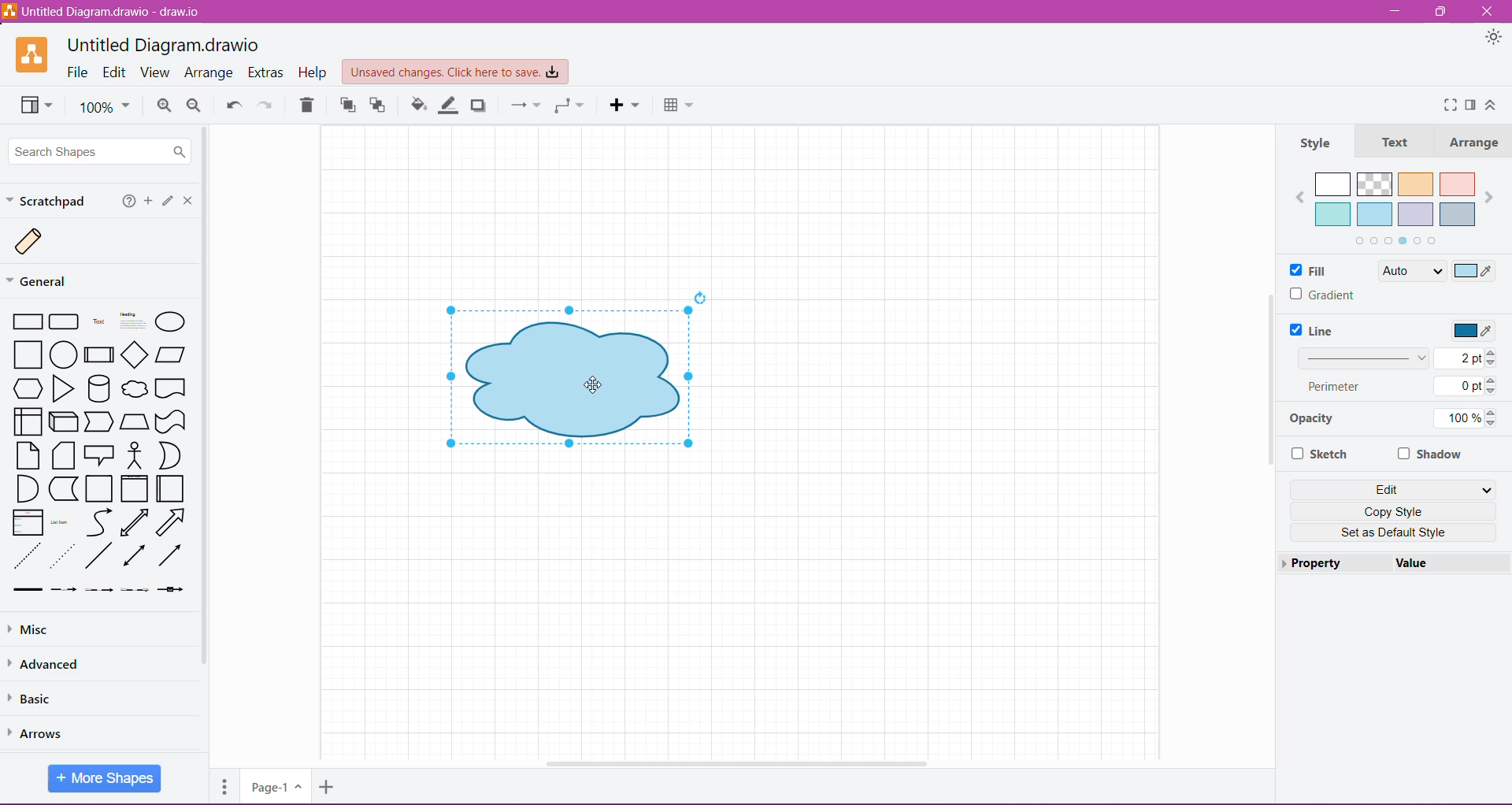 The image size is (1512, 805). I want to click on Arrange, so click(210, 73).